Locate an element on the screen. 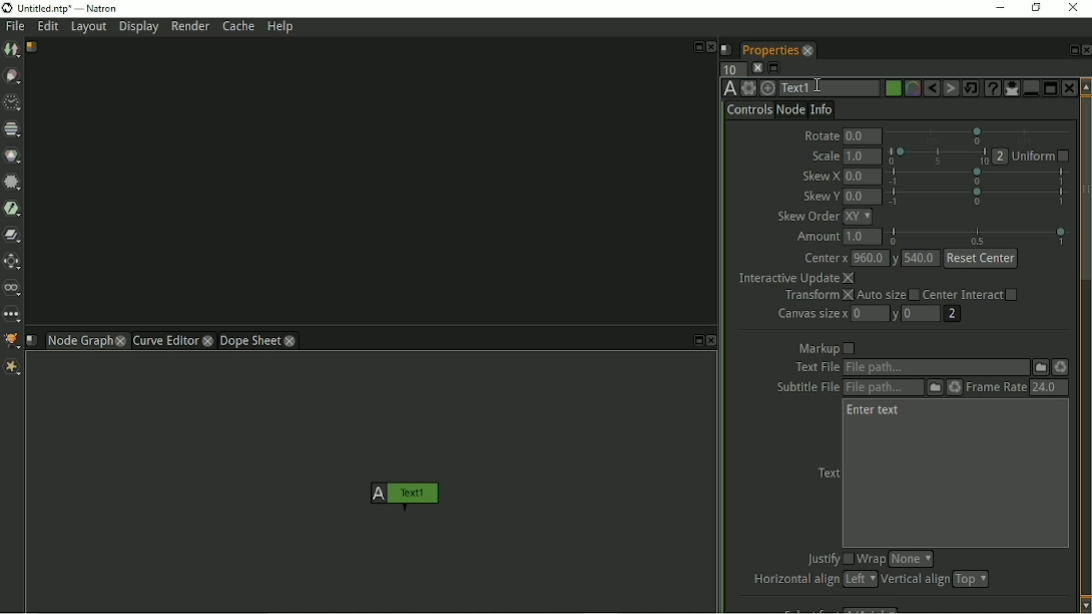 The image size is (1092, 614). TextOFX Version 6.13 is located at coordinates (730, 88).